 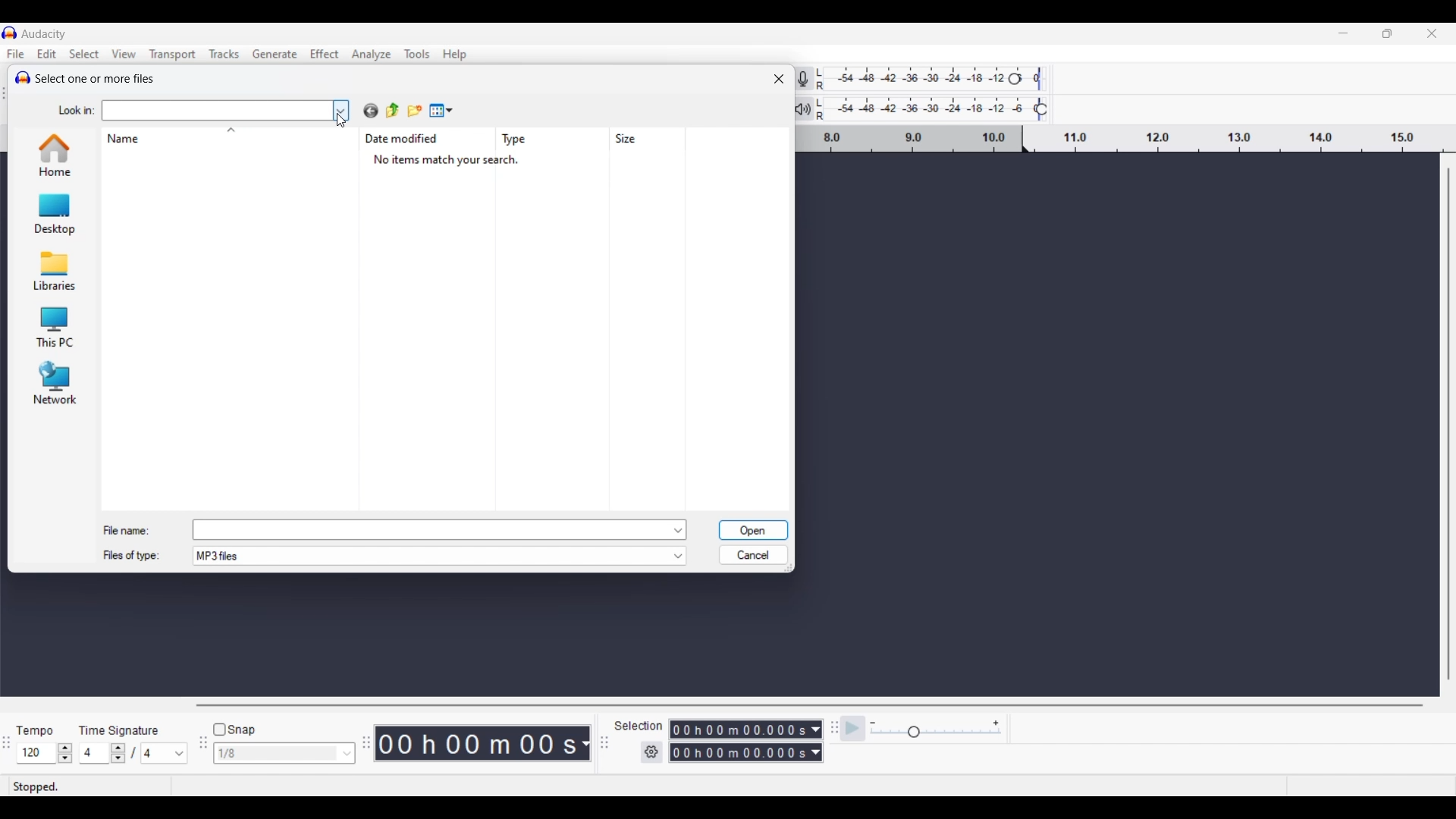 What do you see at coordinates (140, 557) in the screenshot?
I see `Files of type:` at bounding box center [140, 557].